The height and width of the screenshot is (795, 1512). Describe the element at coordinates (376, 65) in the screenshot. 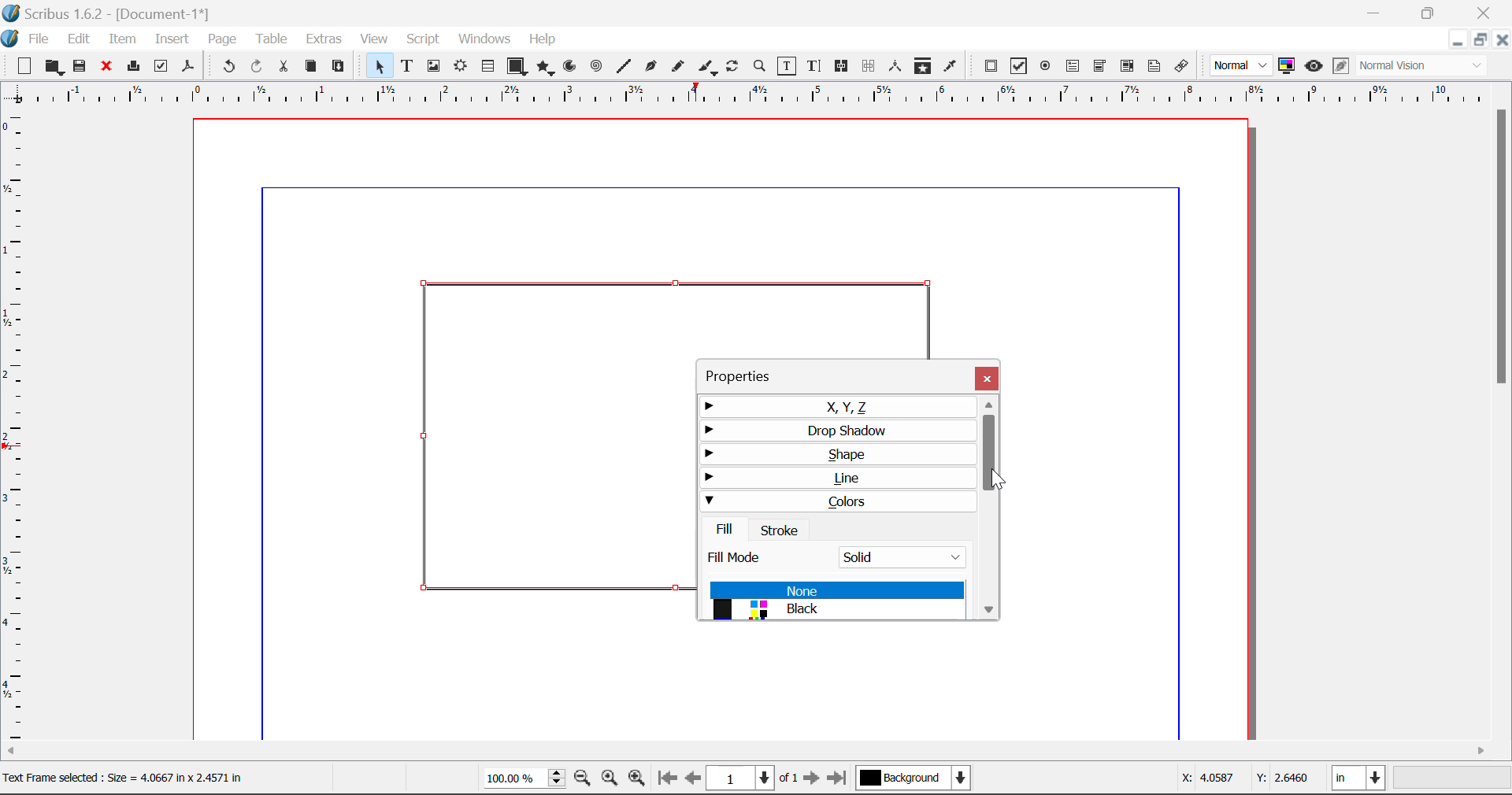

I see `Select` at that location.